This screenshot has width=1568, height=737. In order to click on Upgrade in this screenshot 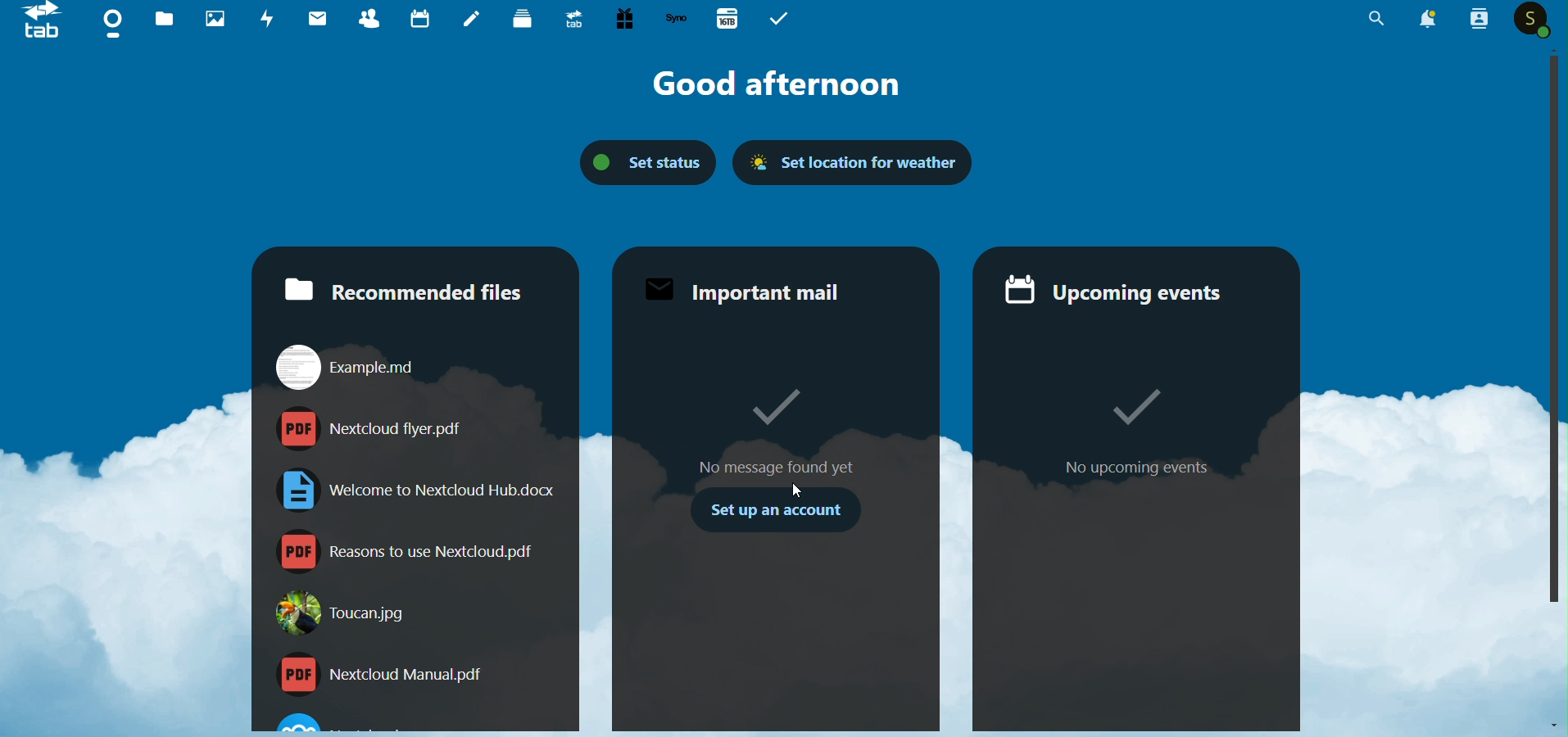, I will do `click(569, 21)`.